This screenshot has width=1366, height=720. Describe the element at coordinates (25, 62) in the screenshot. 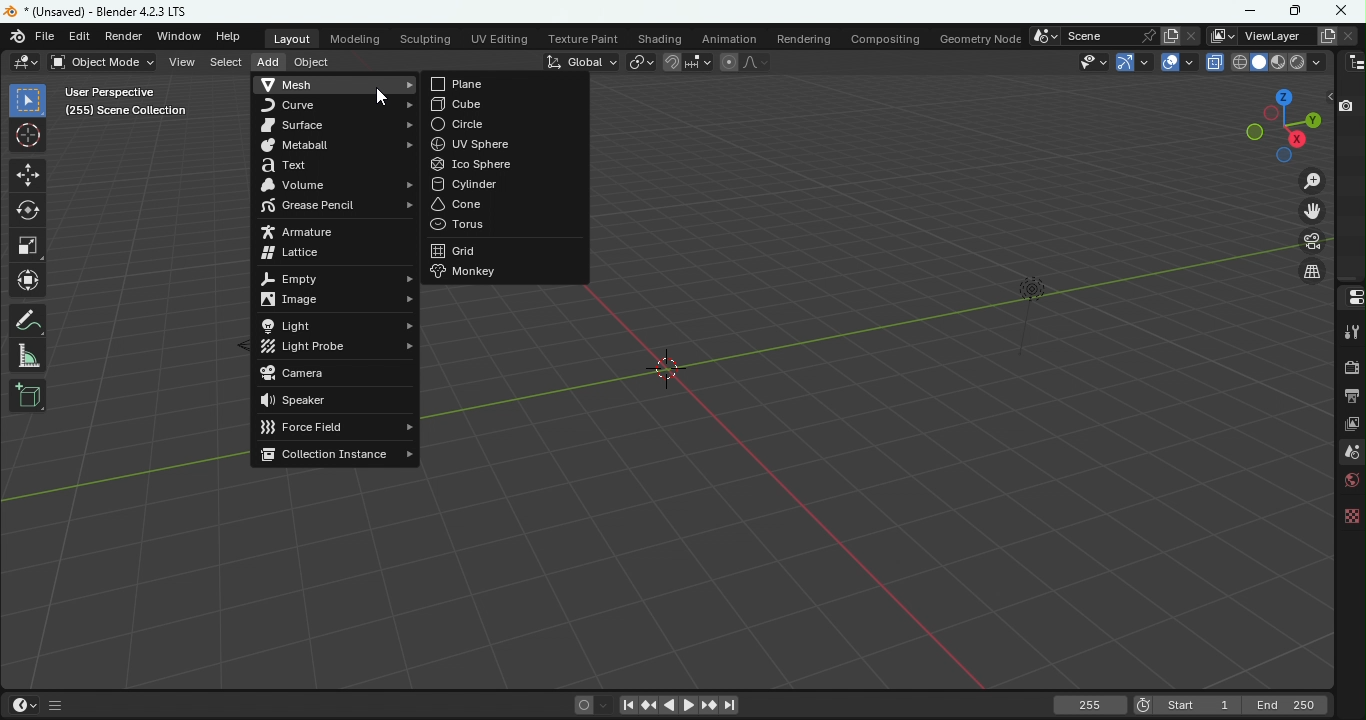

I see `Editor type` at that location.